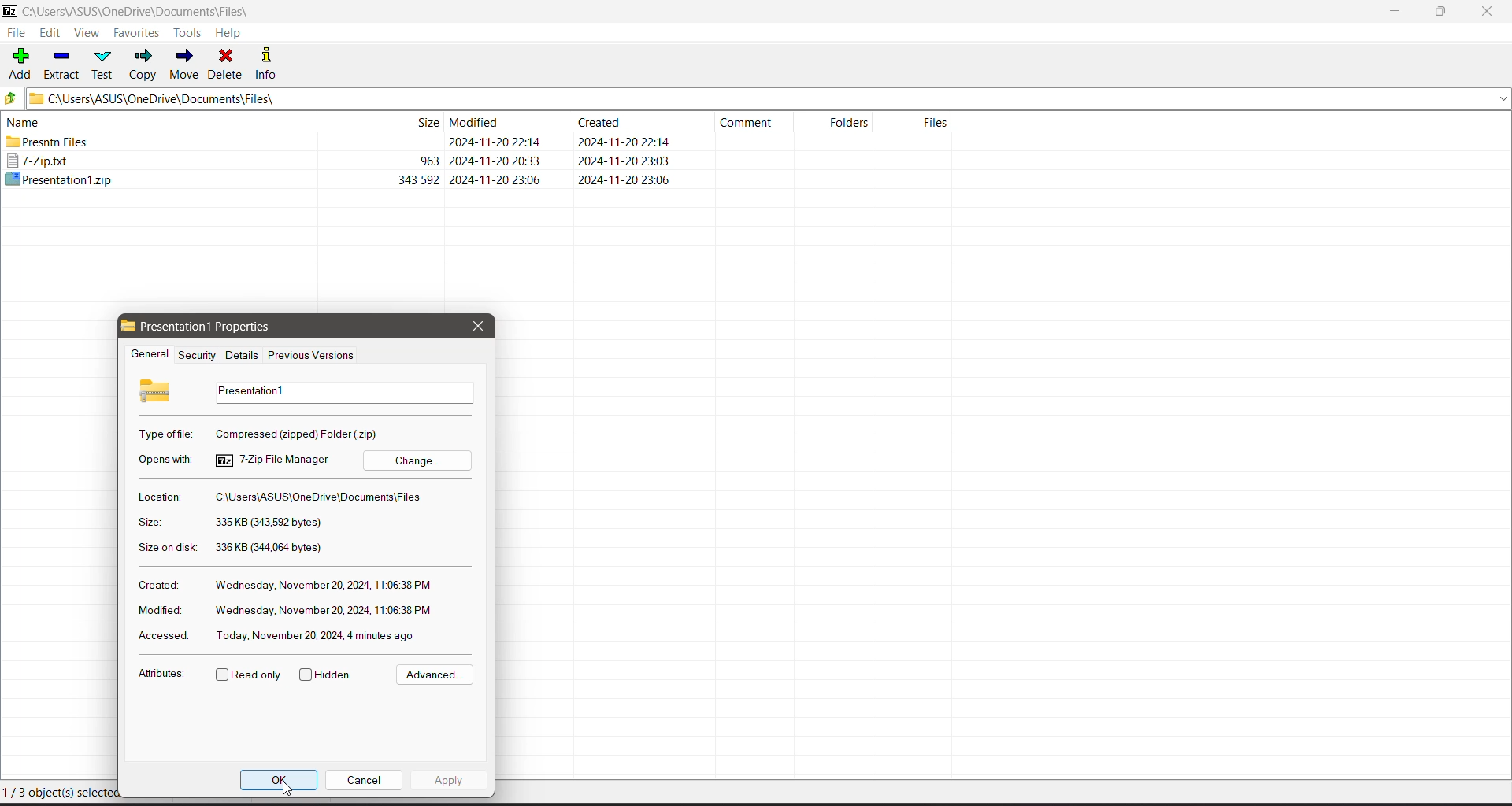 This screenshot has height=806, width=1512. I want to click on Size, so click(149, 523).